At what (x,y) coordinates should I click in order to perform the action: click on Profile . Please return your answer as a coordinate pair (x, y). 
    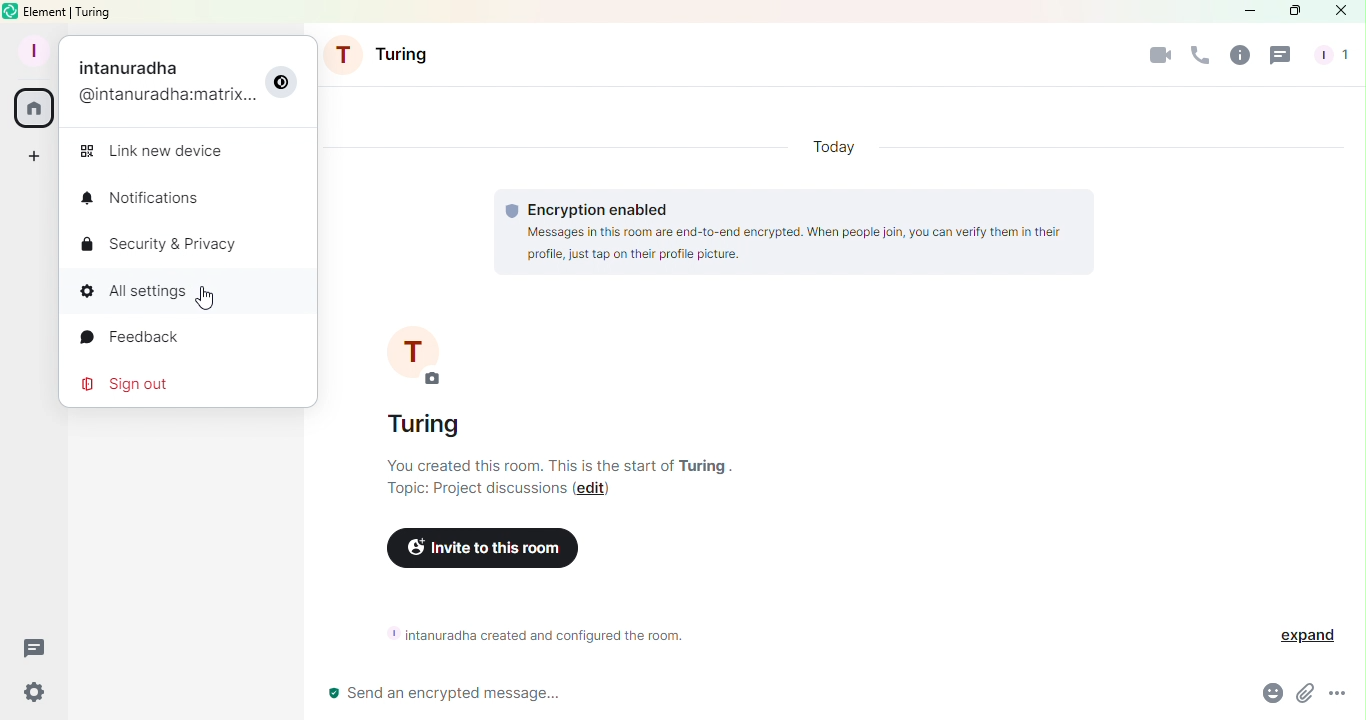
    Looking at the image, I should click on (192, 85).